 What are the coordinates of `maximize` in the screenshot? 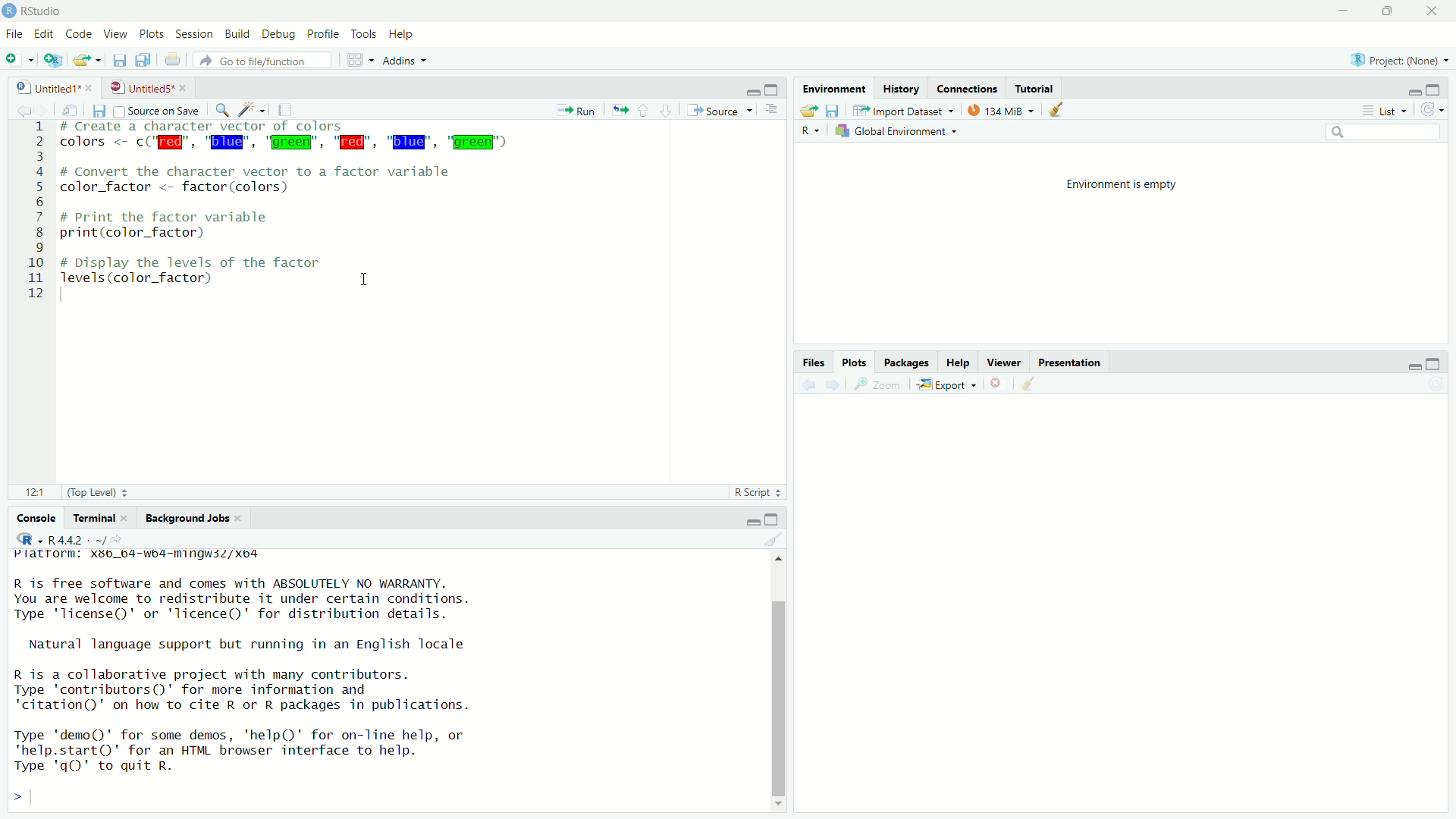 It's located at (1441, 362).